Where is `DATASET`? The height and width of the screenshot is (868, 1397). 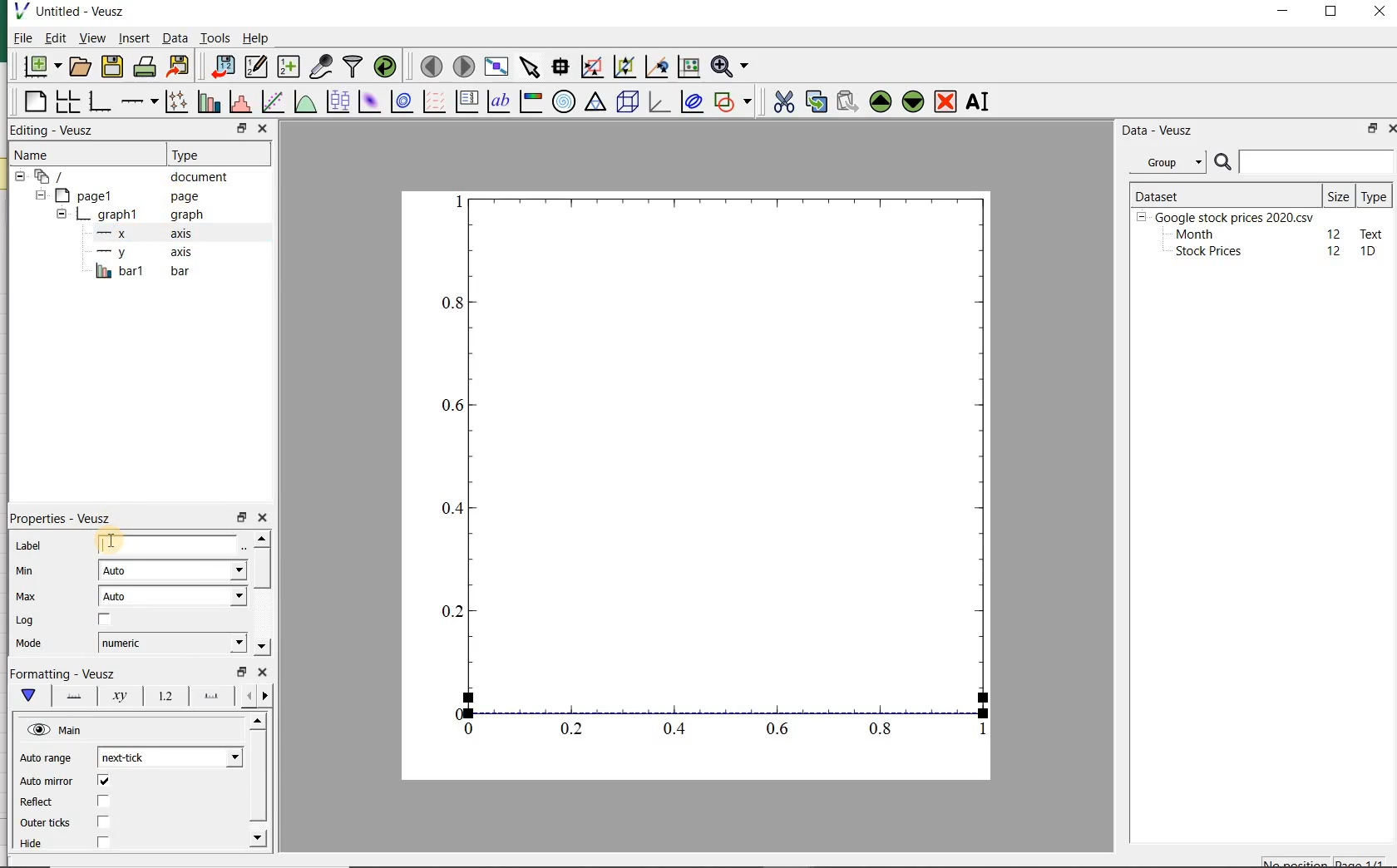 DATASET is located at coordinates (1224, 193).